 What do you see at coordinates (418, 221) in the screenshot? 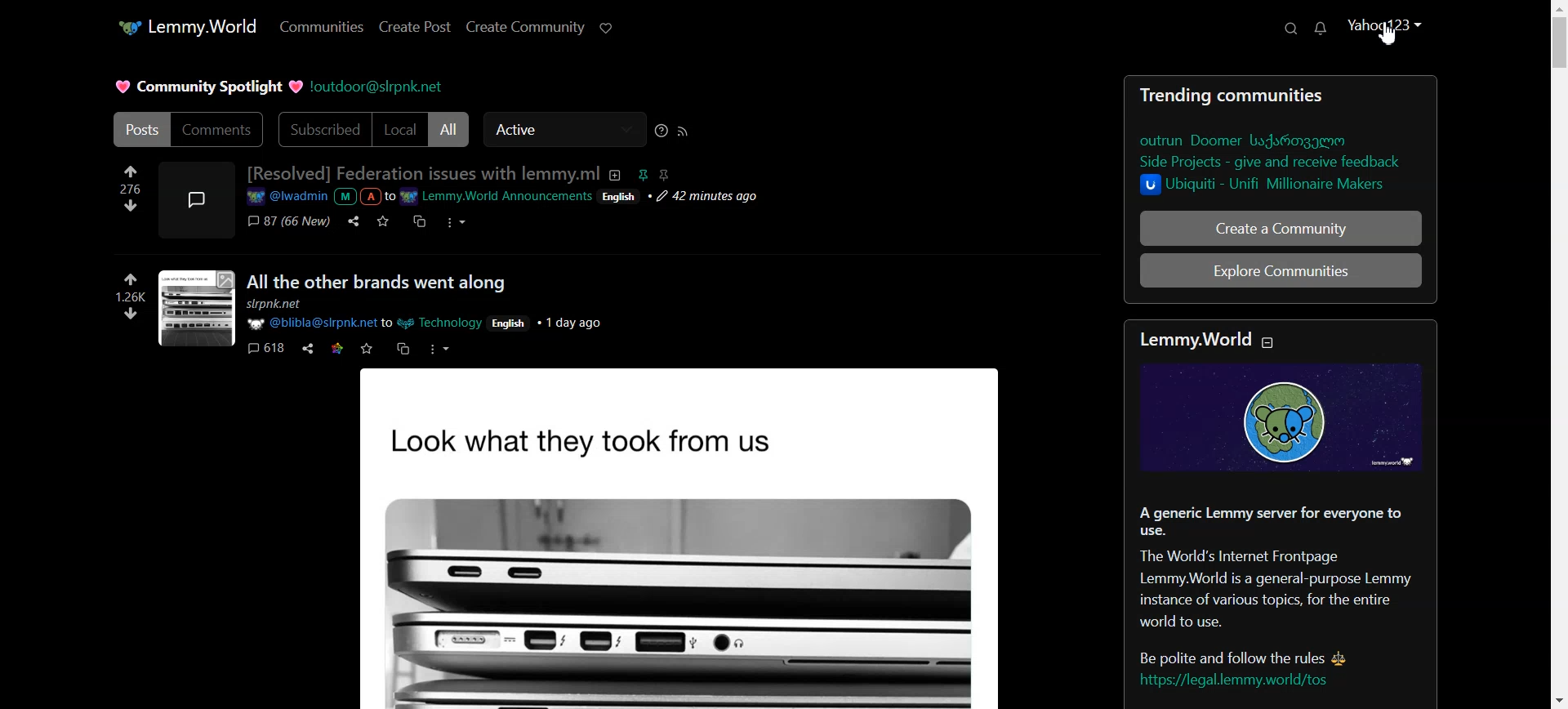
I see `cross post` at bounding box center [418, 221].